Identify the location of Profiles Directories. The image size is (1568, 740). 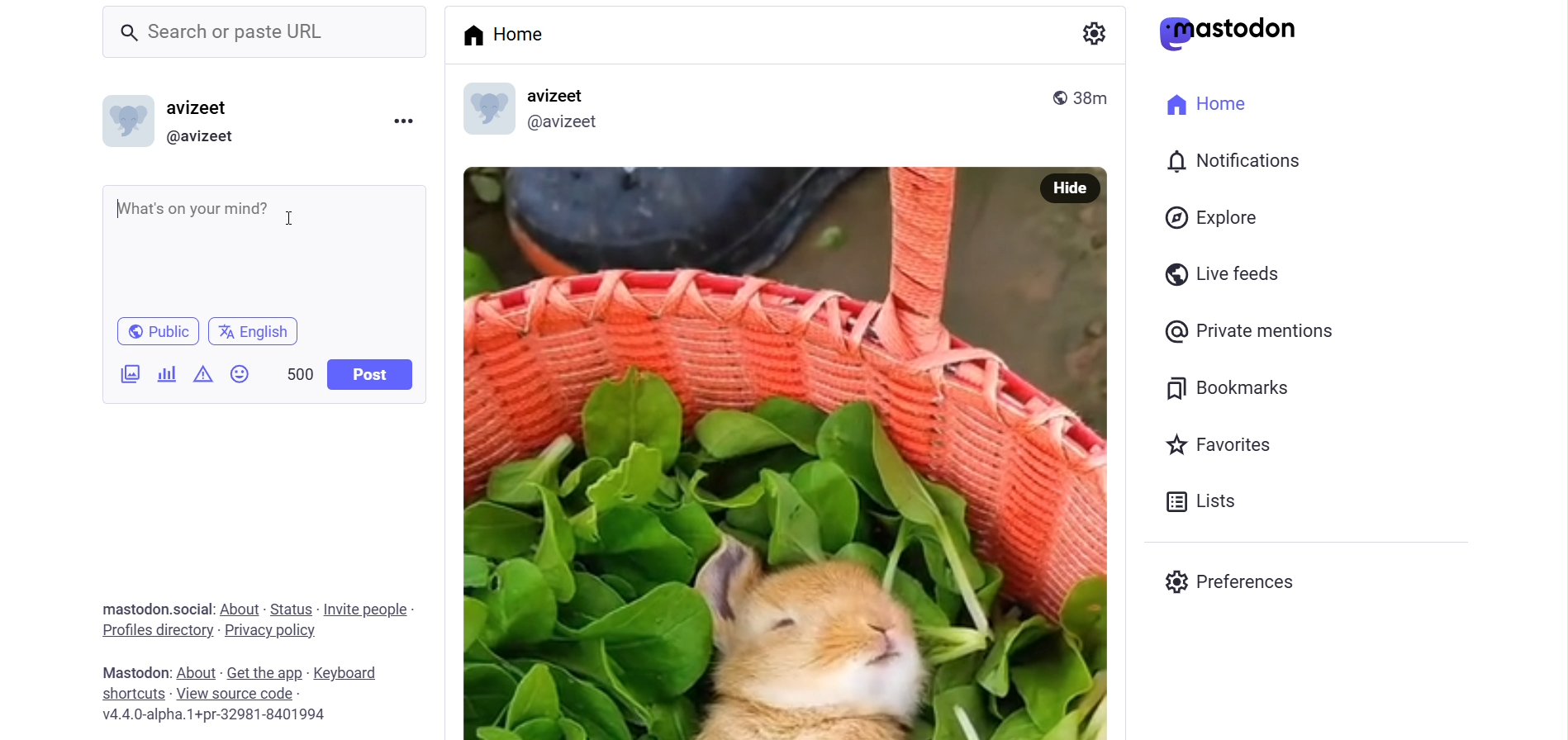
(157, 632).